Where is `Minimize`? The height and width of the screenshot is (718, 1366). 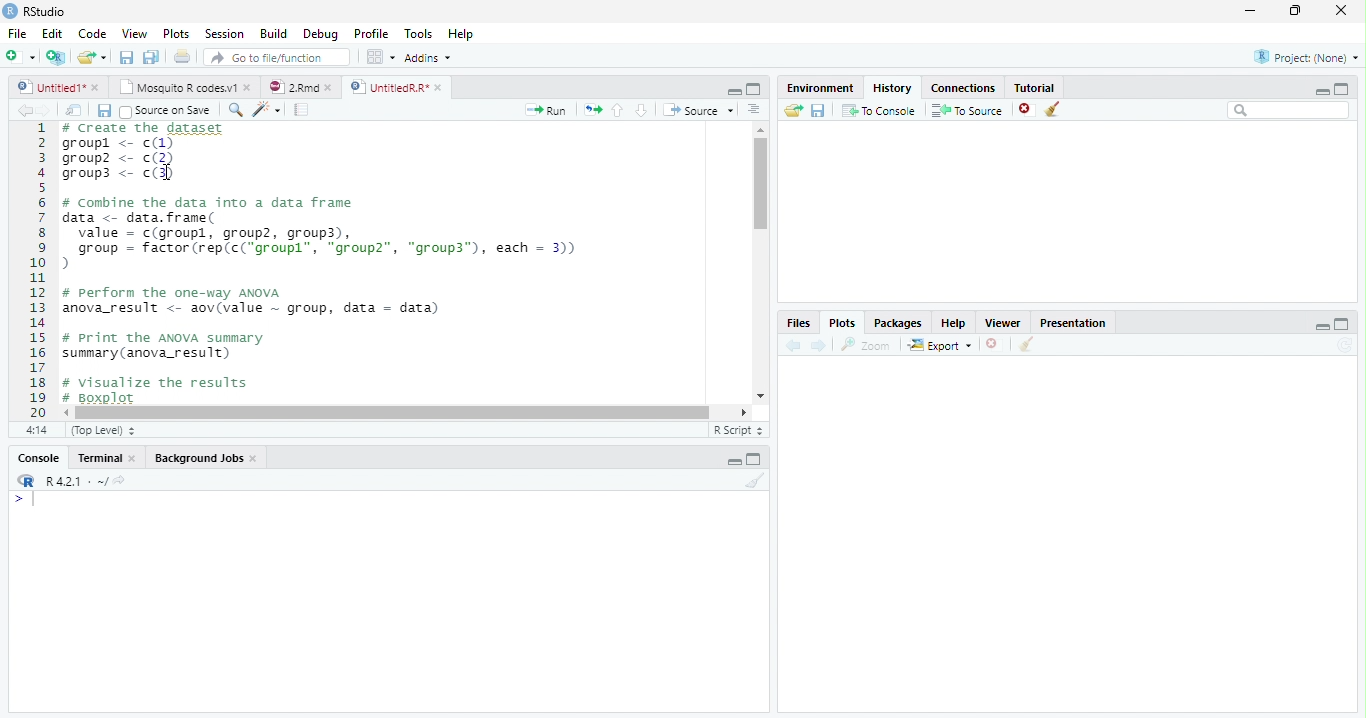
Minimize is located at coordinates (1251, 12).